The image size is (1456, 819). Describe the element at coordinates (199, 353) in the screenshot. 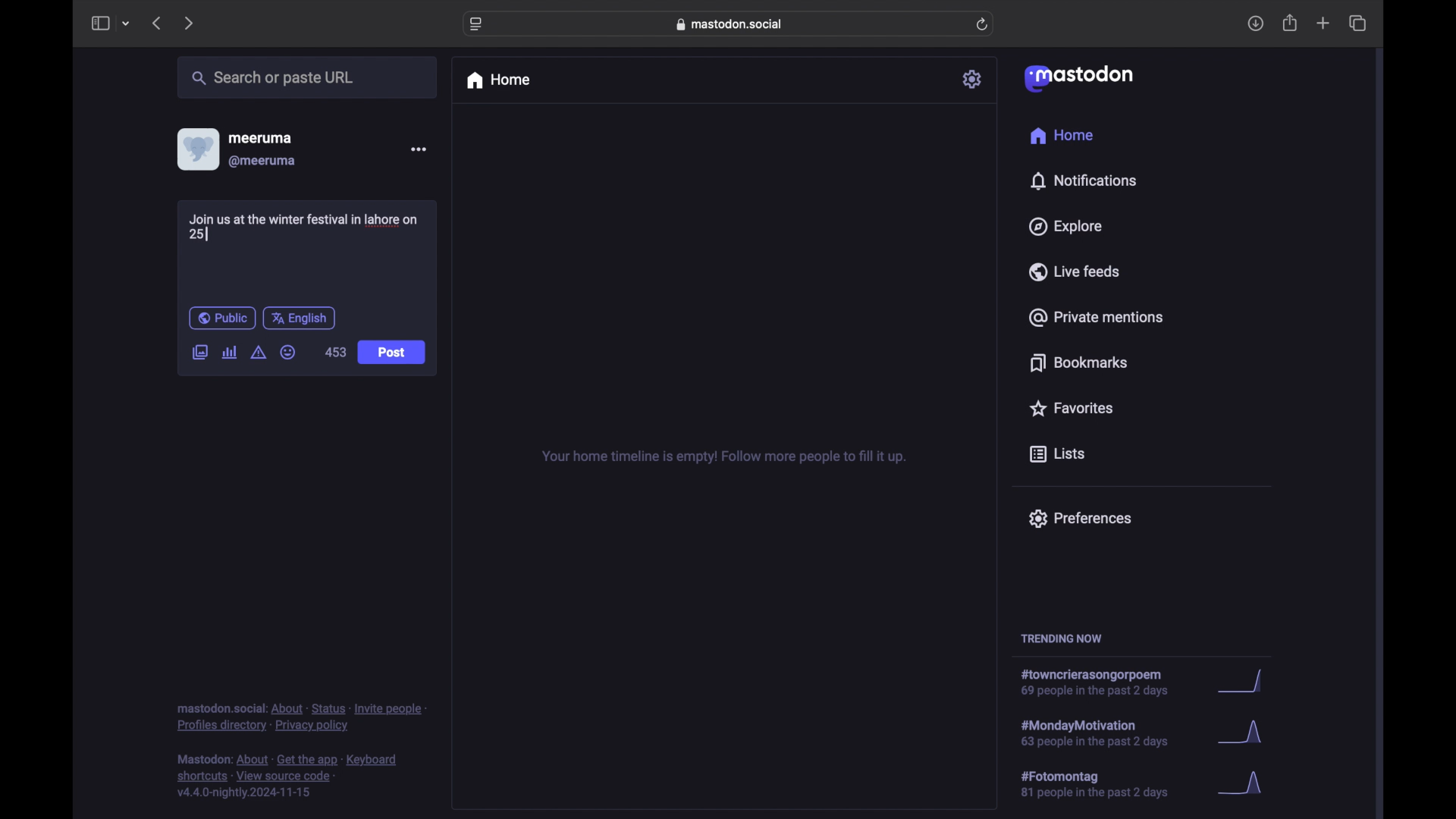

I see `add image` at that location.